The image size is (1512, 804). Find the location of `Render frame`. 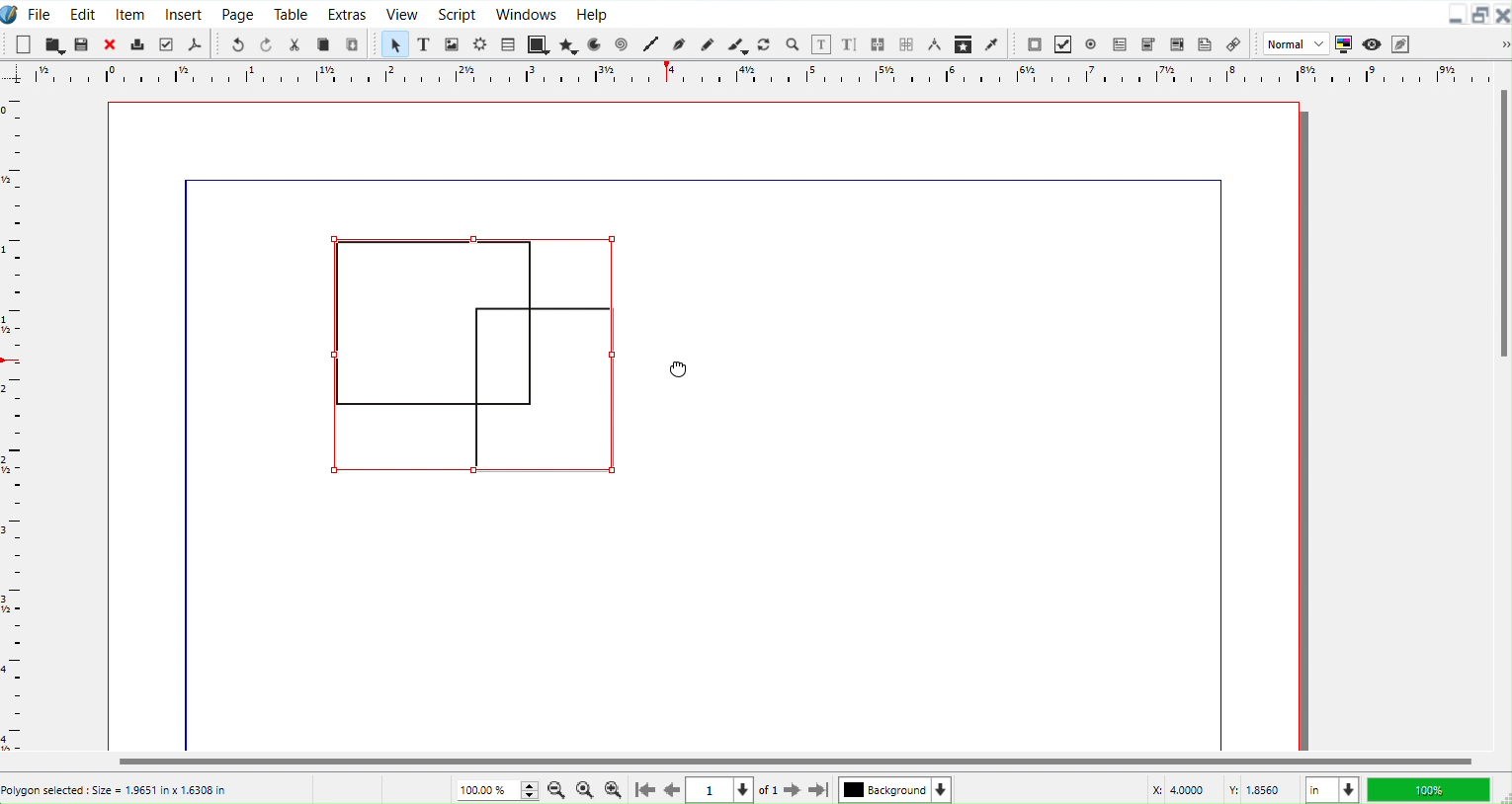

Render frame is located at coordinates (481, 44).